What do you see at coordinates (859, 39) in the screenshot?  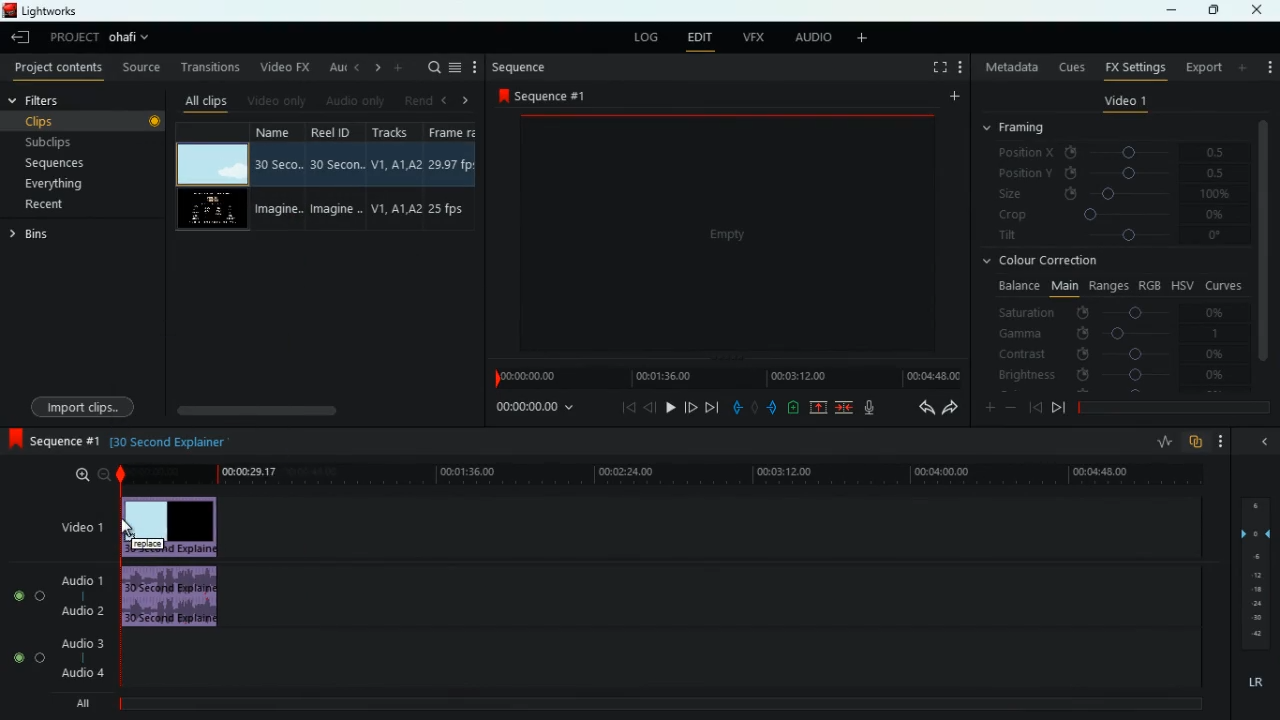 I see `add` at bounding box center [859, 39].